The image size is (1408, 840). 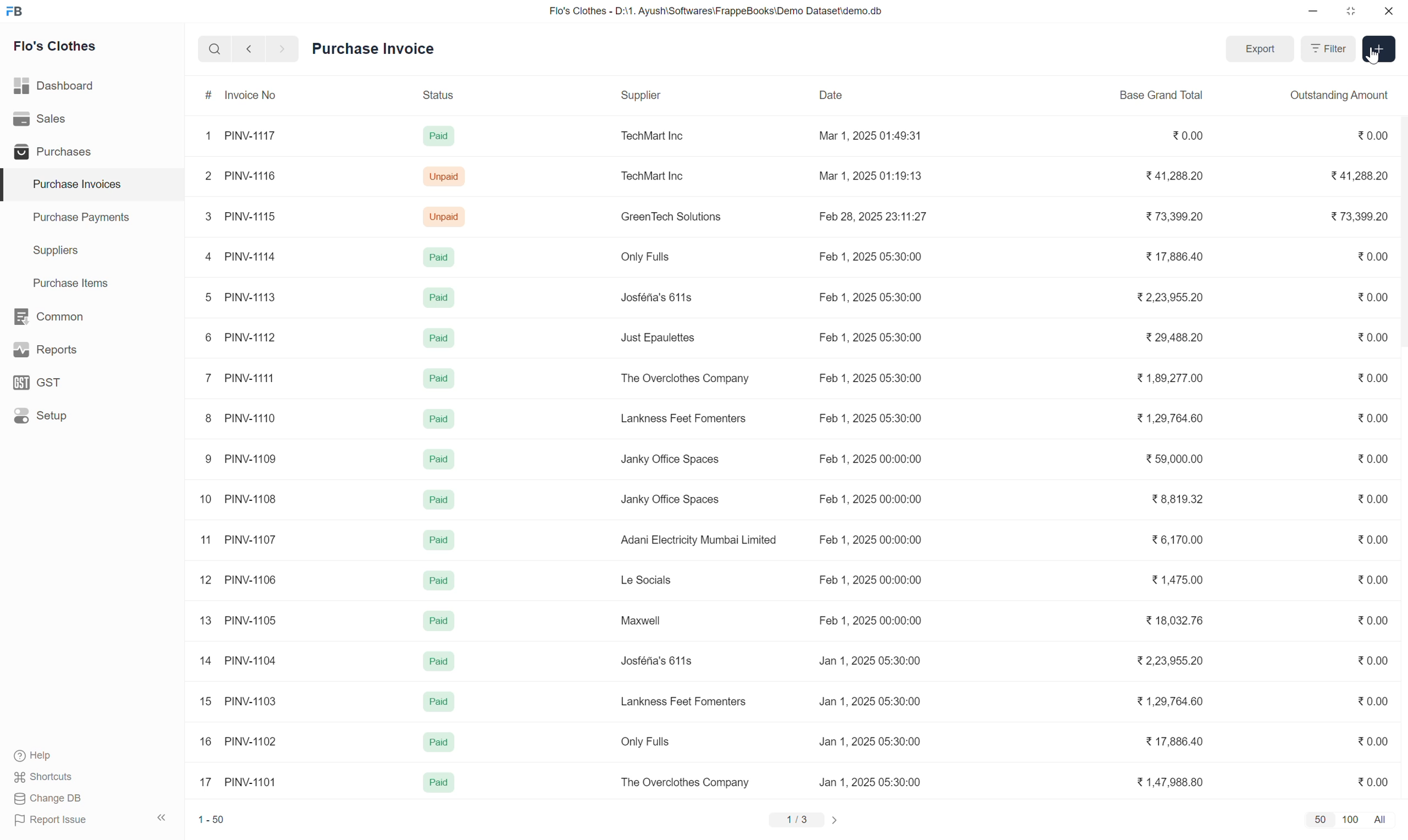 What do you see at coordinates (1359, 175) in the screenshot?
I see `41,288.20` at bounding box center [1359, 175].